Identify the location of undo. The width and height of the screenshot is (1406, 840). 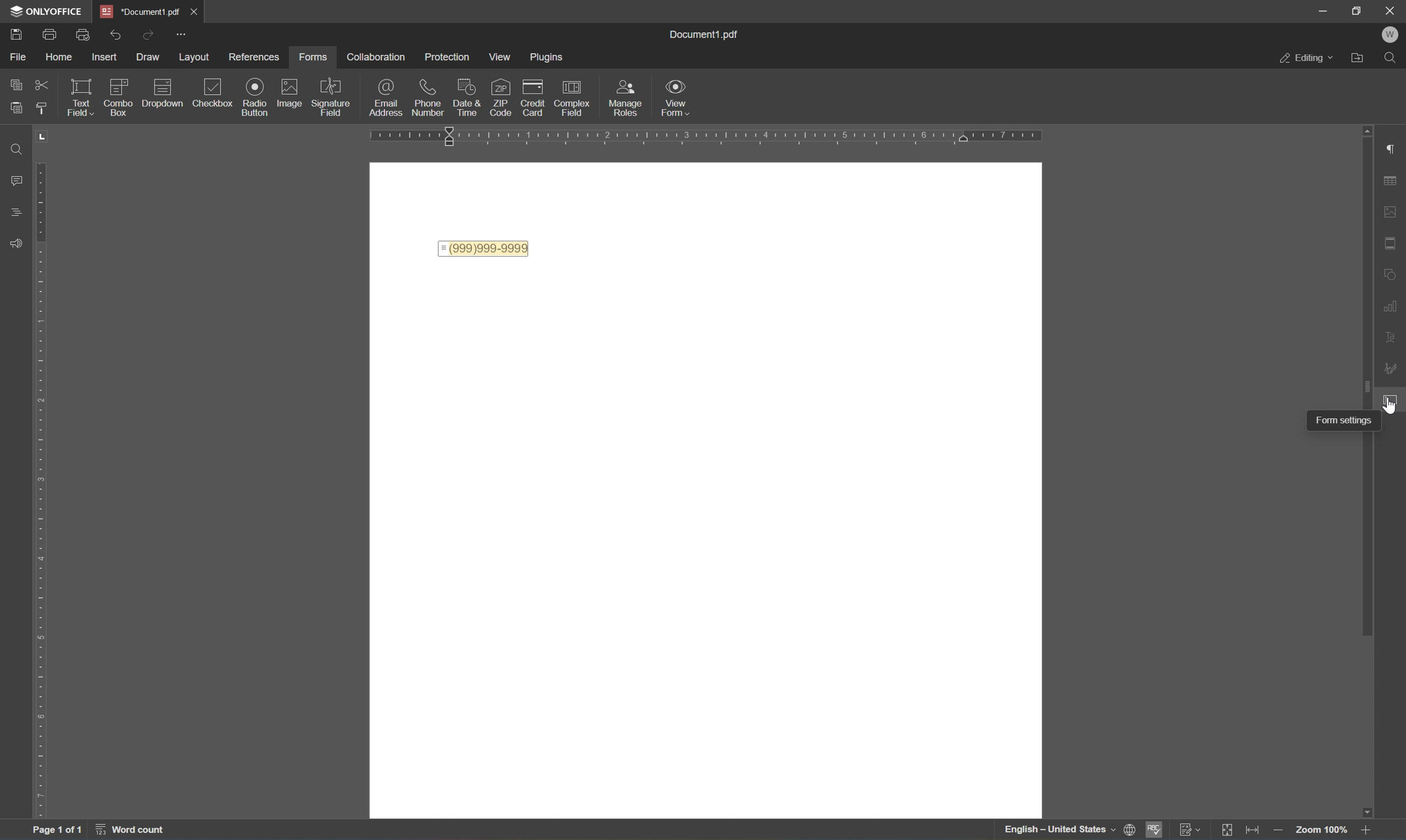
(115, 35).